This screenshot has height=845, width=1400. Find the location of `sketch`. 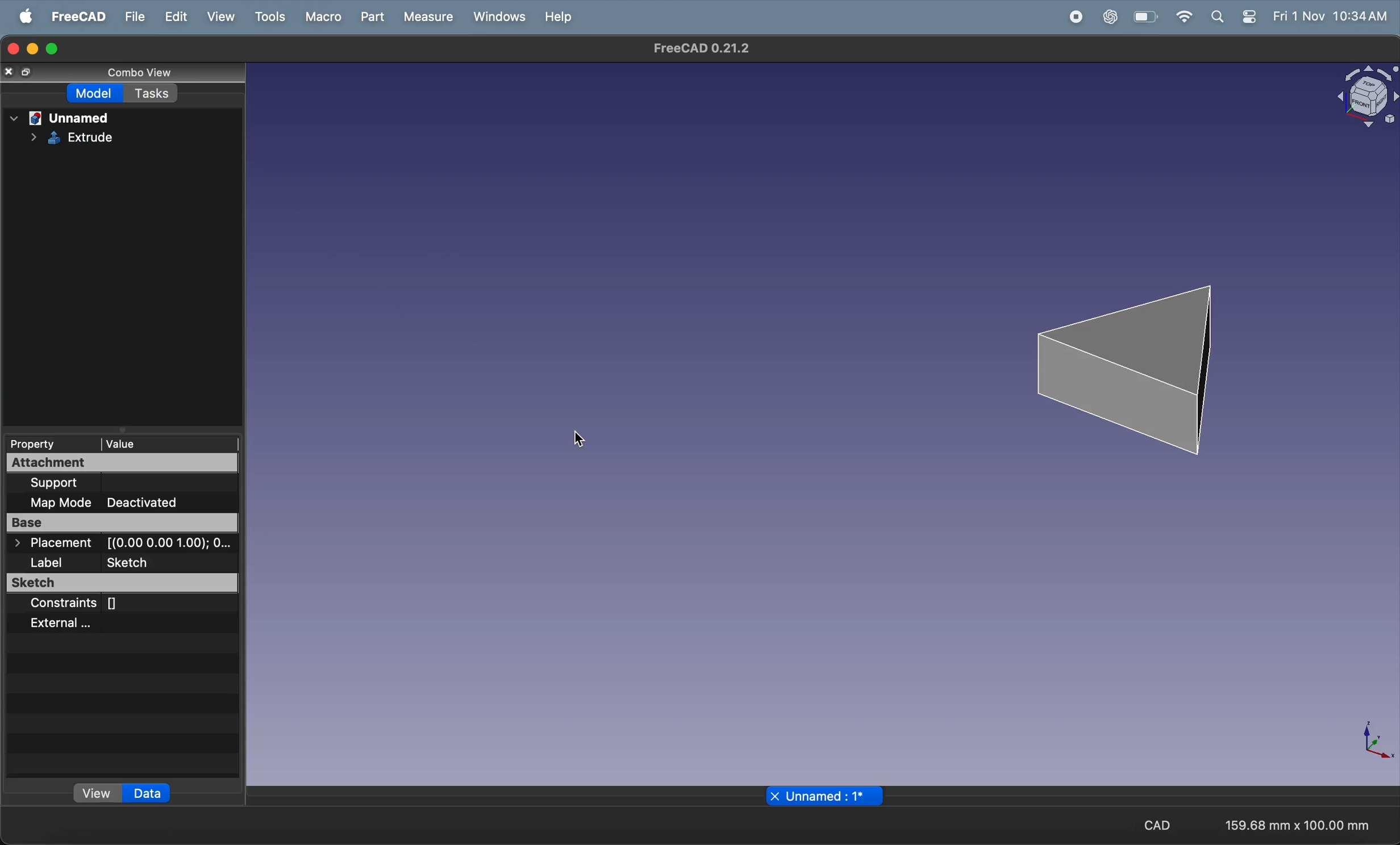

sketch is located at coordinates (123, 584).